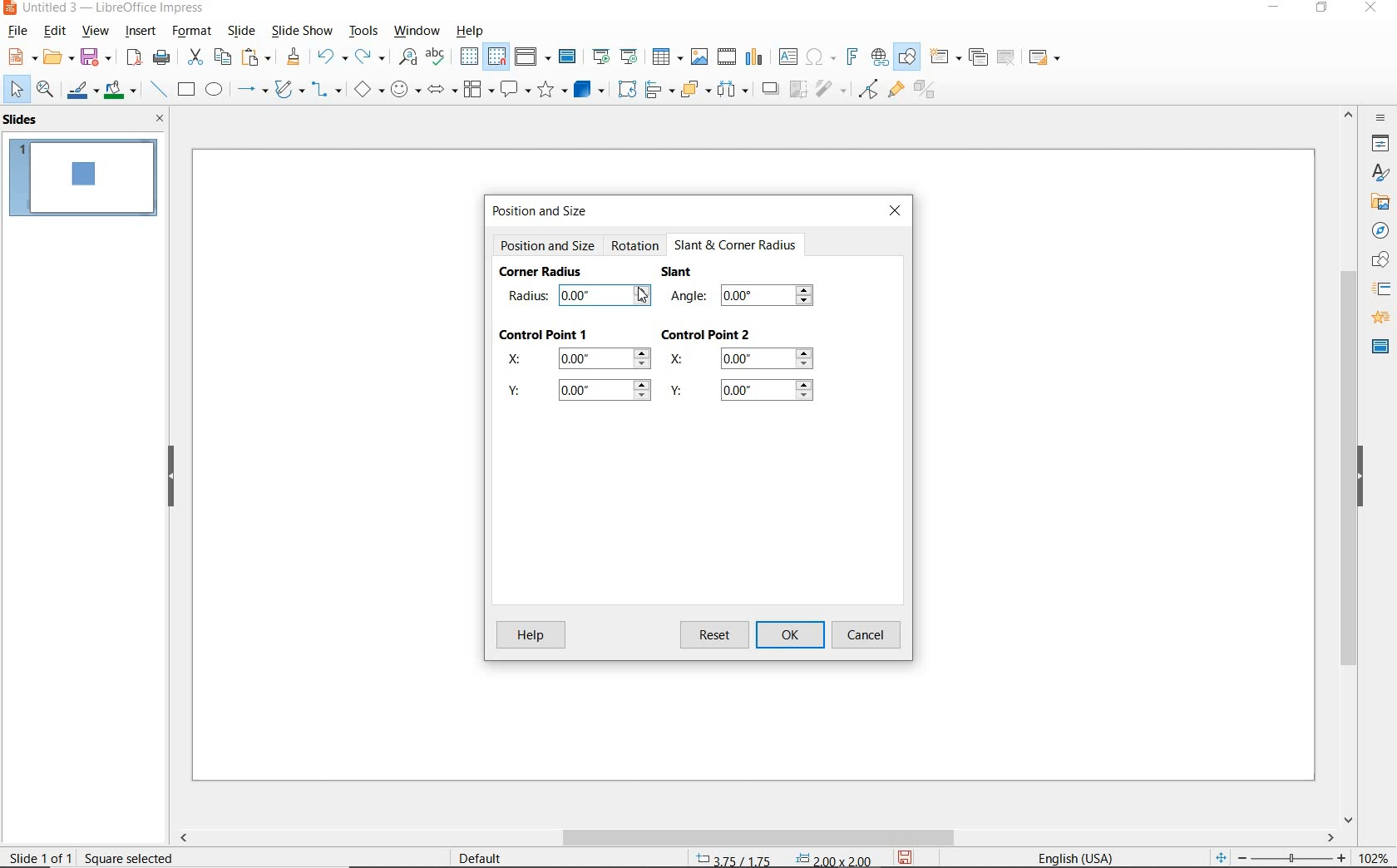 The image size is (1397, 868). What do you see at coordinates (170, 476) in the screenshot?
I see `hide` at bounding box center [170, 476].